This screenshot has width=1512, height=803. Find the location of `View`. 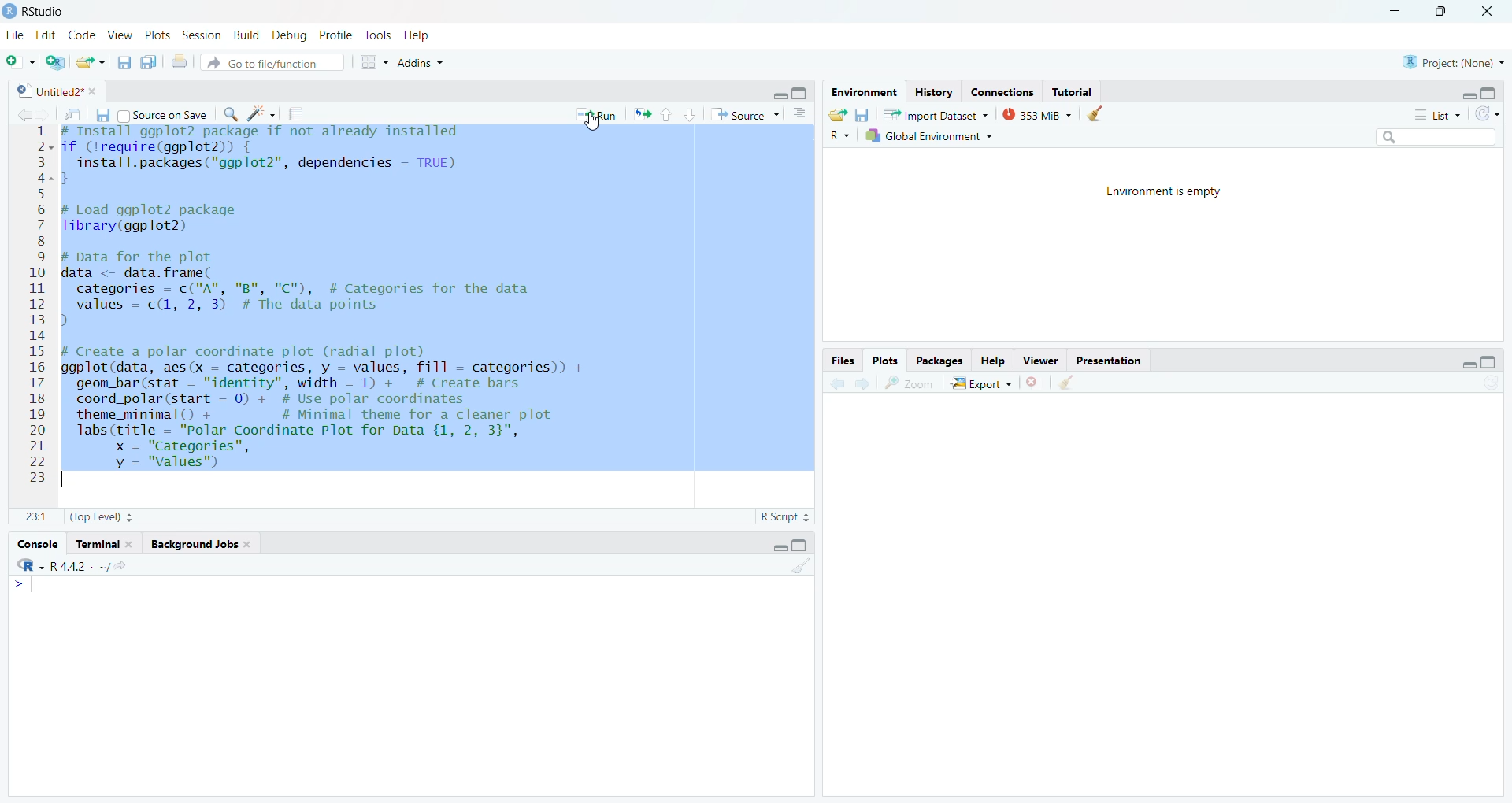

View is located at coordinates (119, 36).